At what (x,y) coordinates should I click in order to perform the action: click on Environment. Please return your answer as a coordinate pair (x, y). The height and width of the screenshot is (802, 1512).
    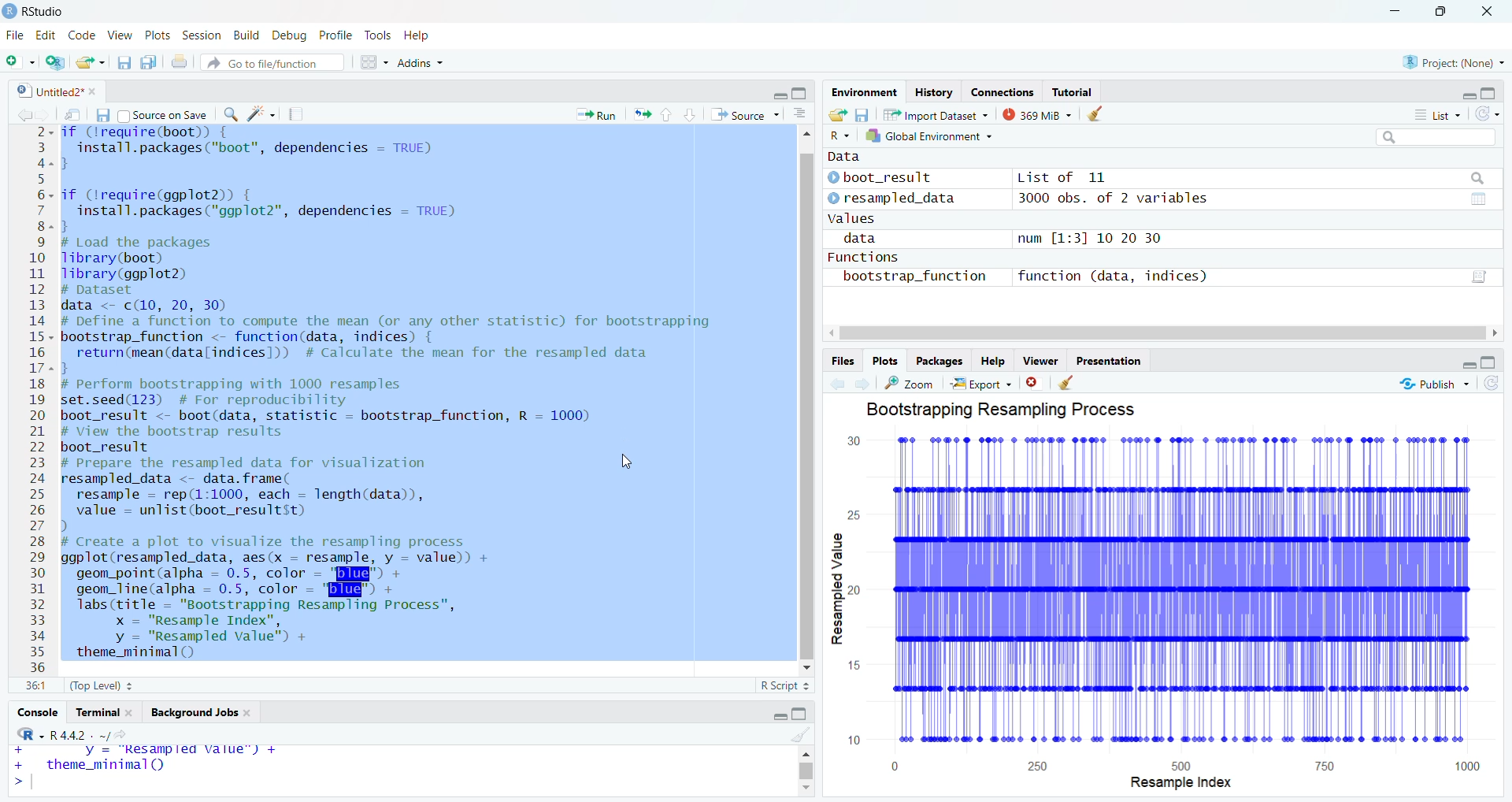
    Looking at the image, I should click on (858, 92).